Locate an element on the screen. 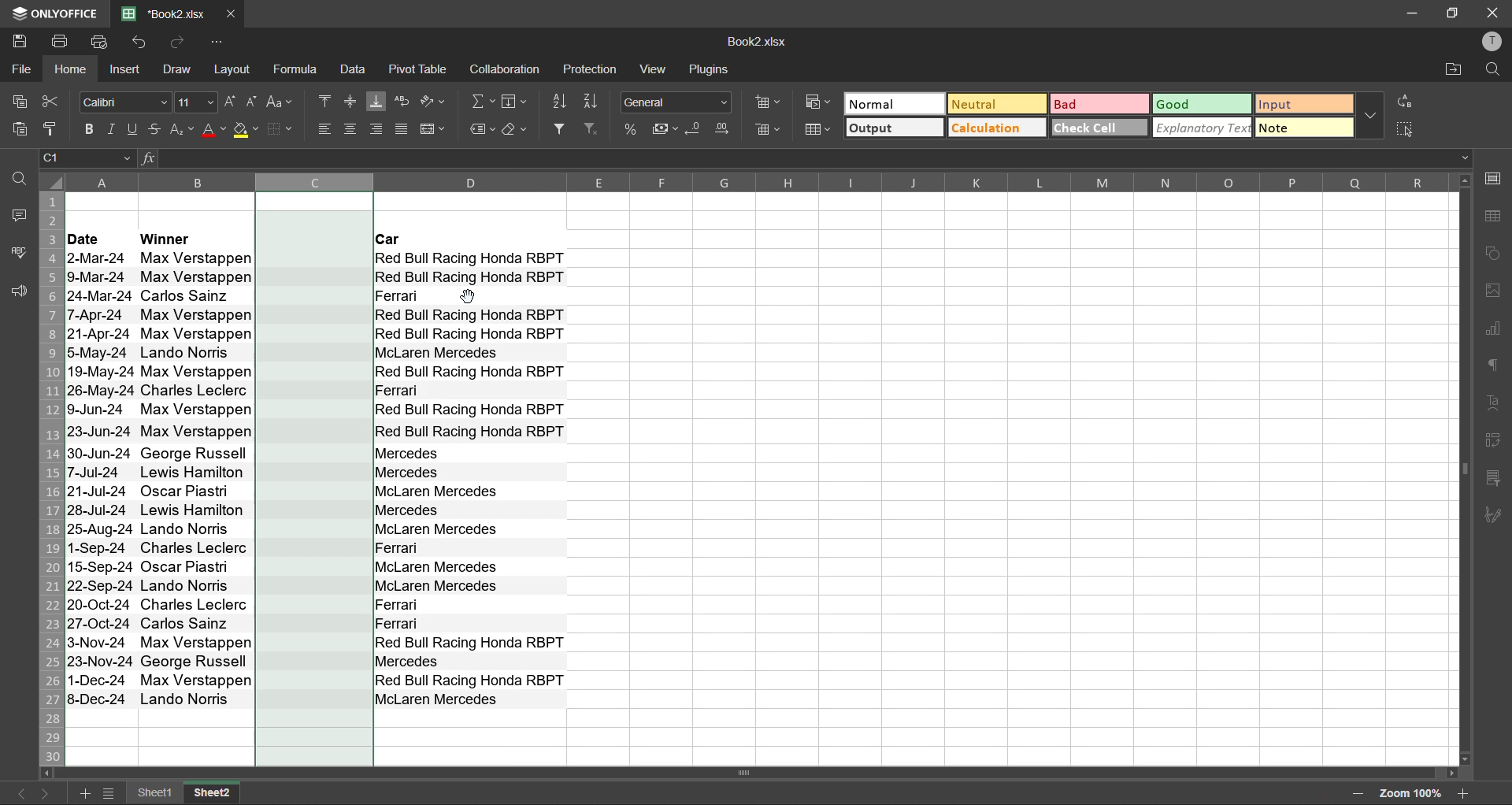 The width and height of the screenshot is (1512, 805). font size is located at coordinates (196, 102).